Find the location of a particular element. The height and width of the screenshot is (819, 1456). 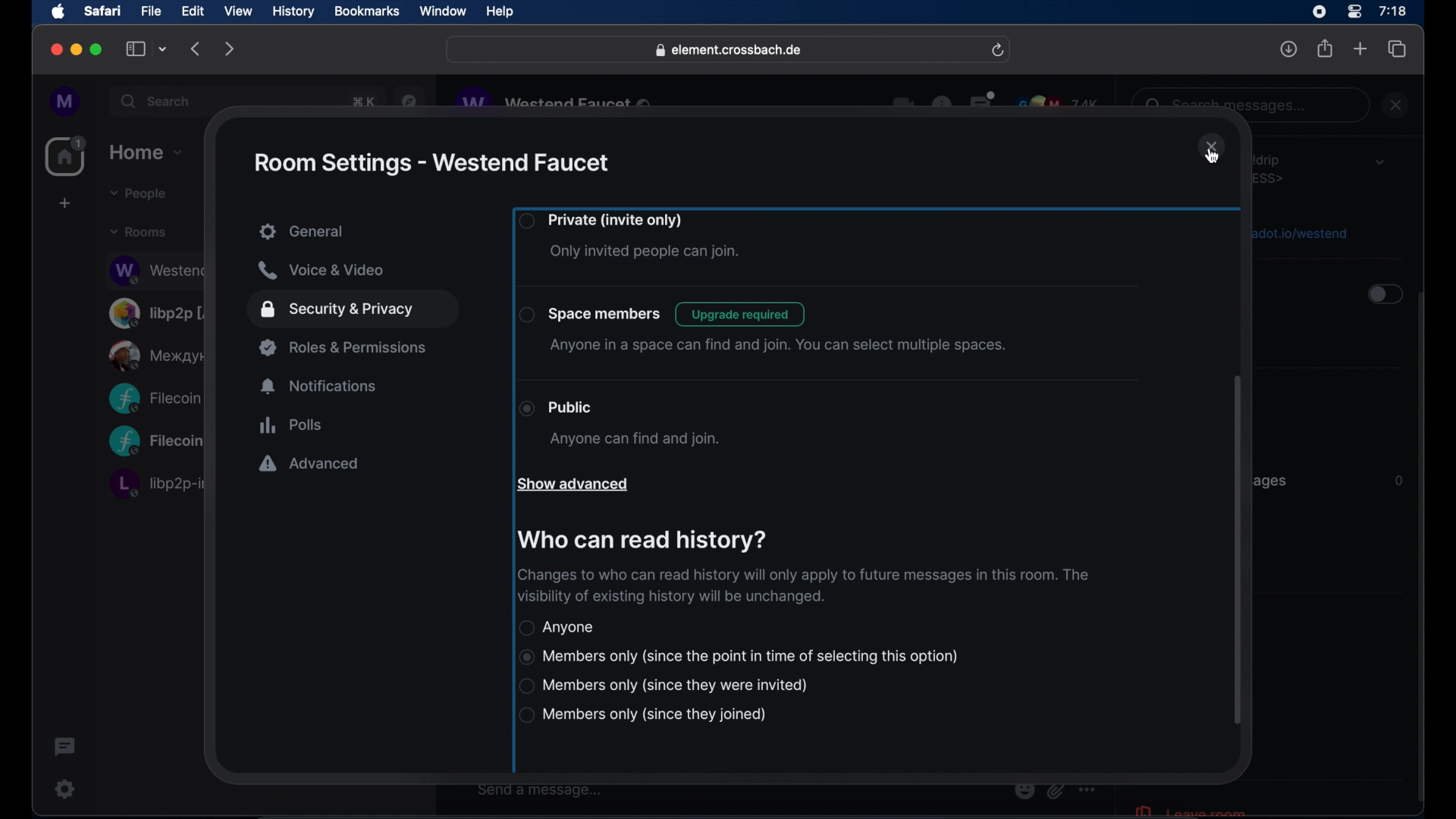

apple icon is located at coordinates (58, 12).